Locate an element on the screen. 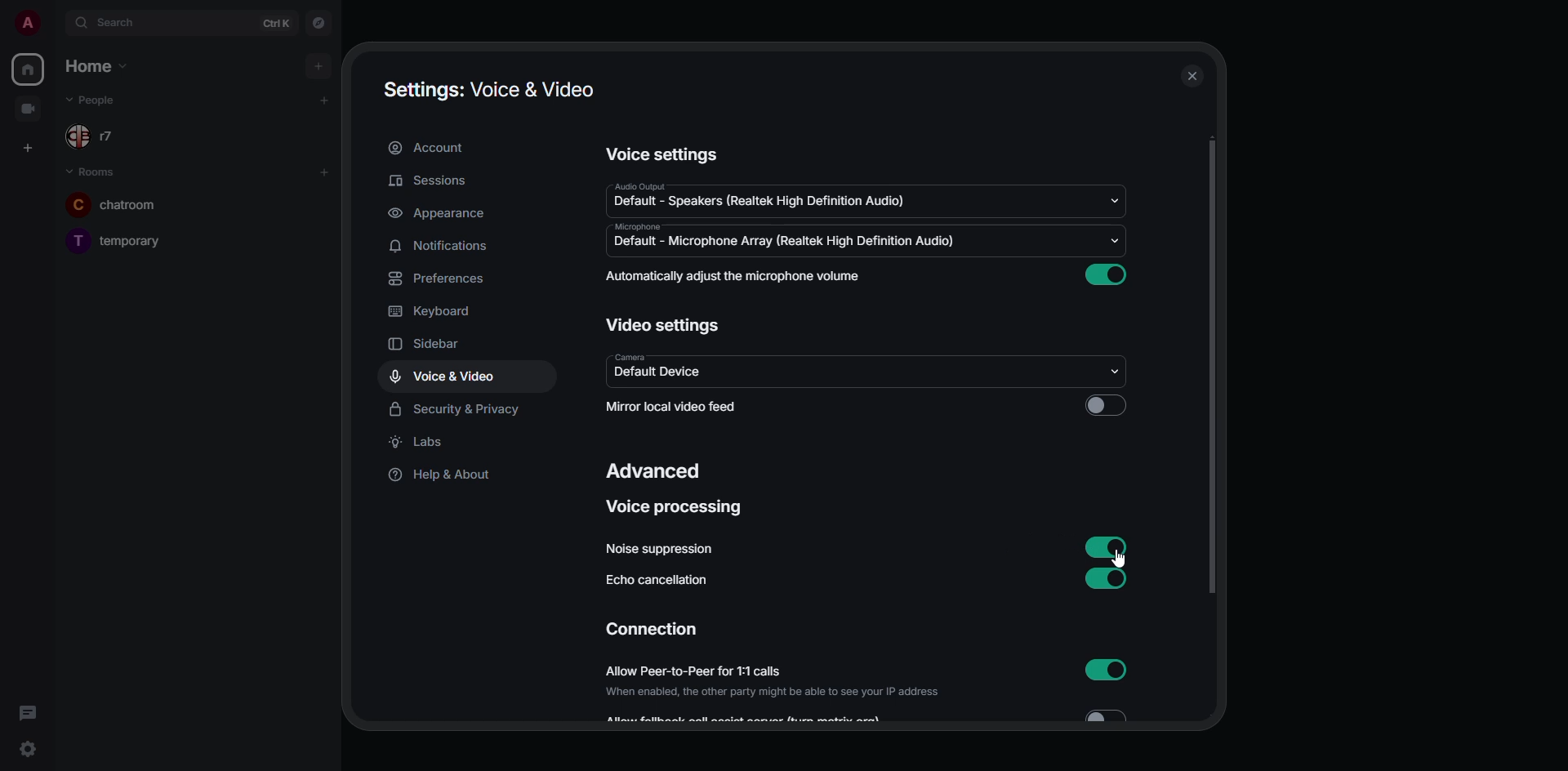 The height and width of the screenshot is (771, 1568). room is located at coordinates (91, 171).